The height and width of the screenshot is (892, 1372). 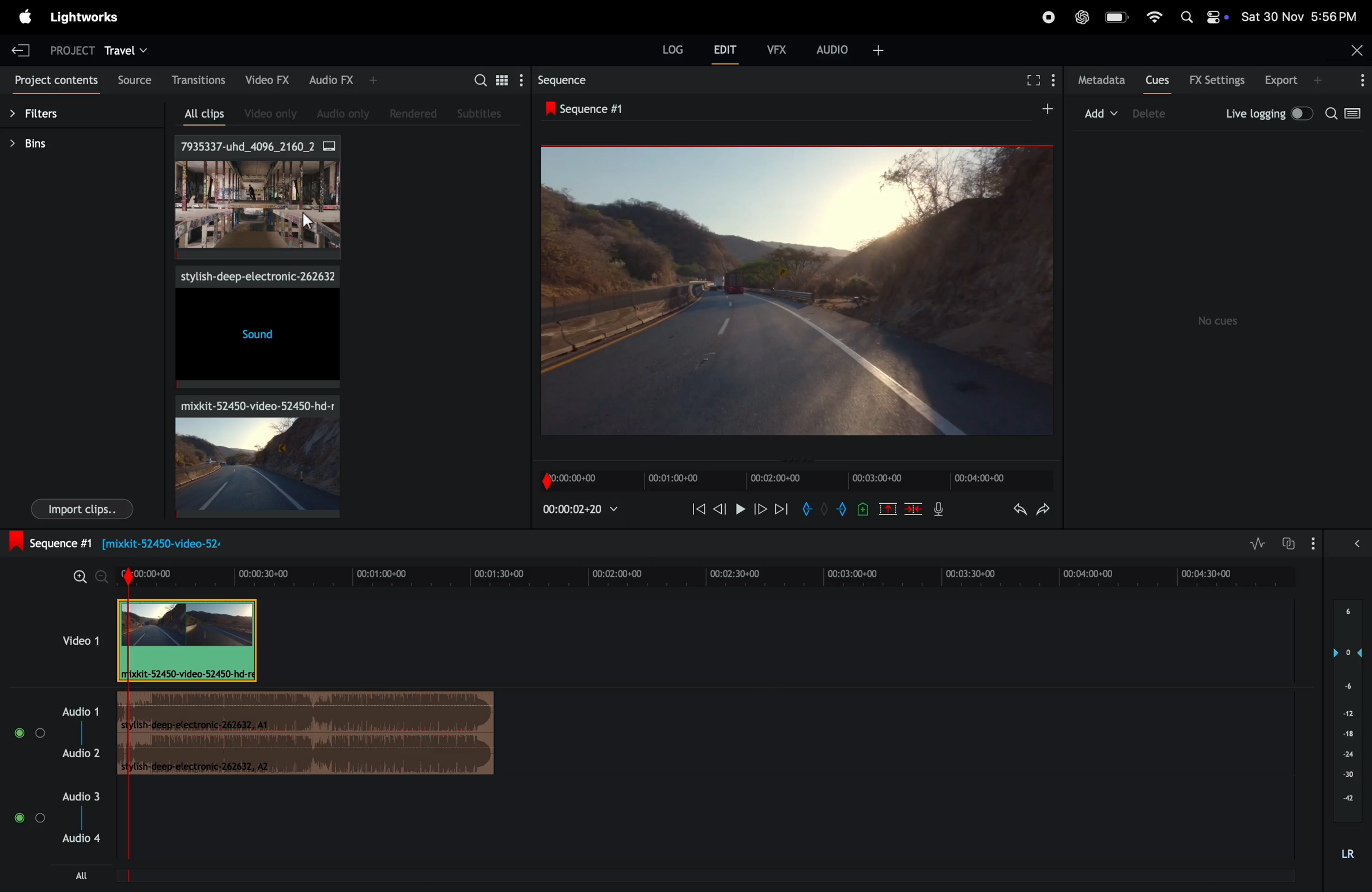 I want to click on transactions, so click(x=198, y=81).